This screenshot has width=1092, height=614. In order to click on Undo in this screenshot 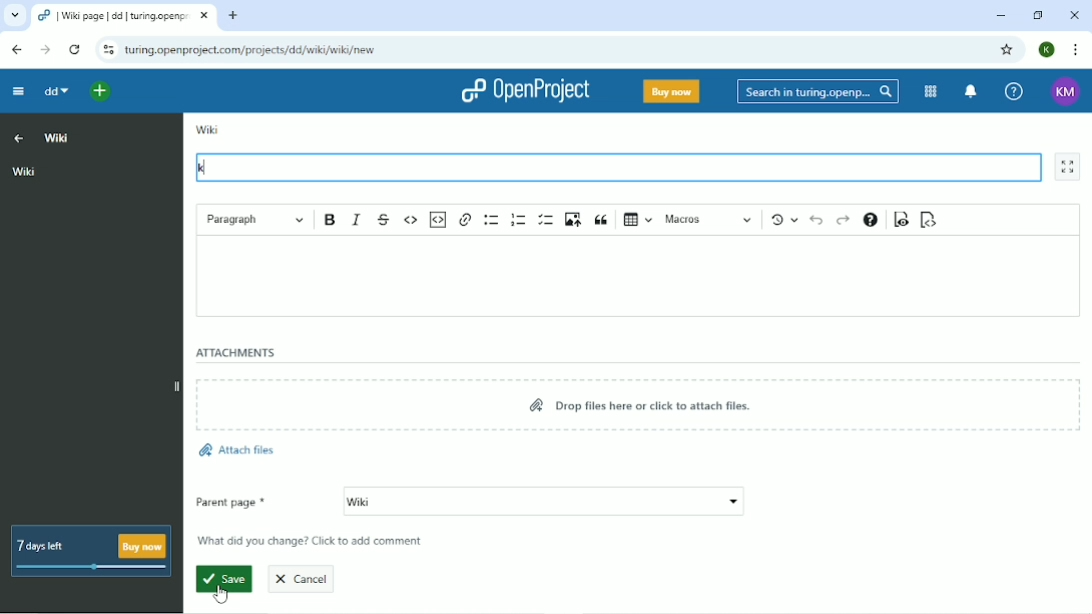, I will do `click(816, 220)`.